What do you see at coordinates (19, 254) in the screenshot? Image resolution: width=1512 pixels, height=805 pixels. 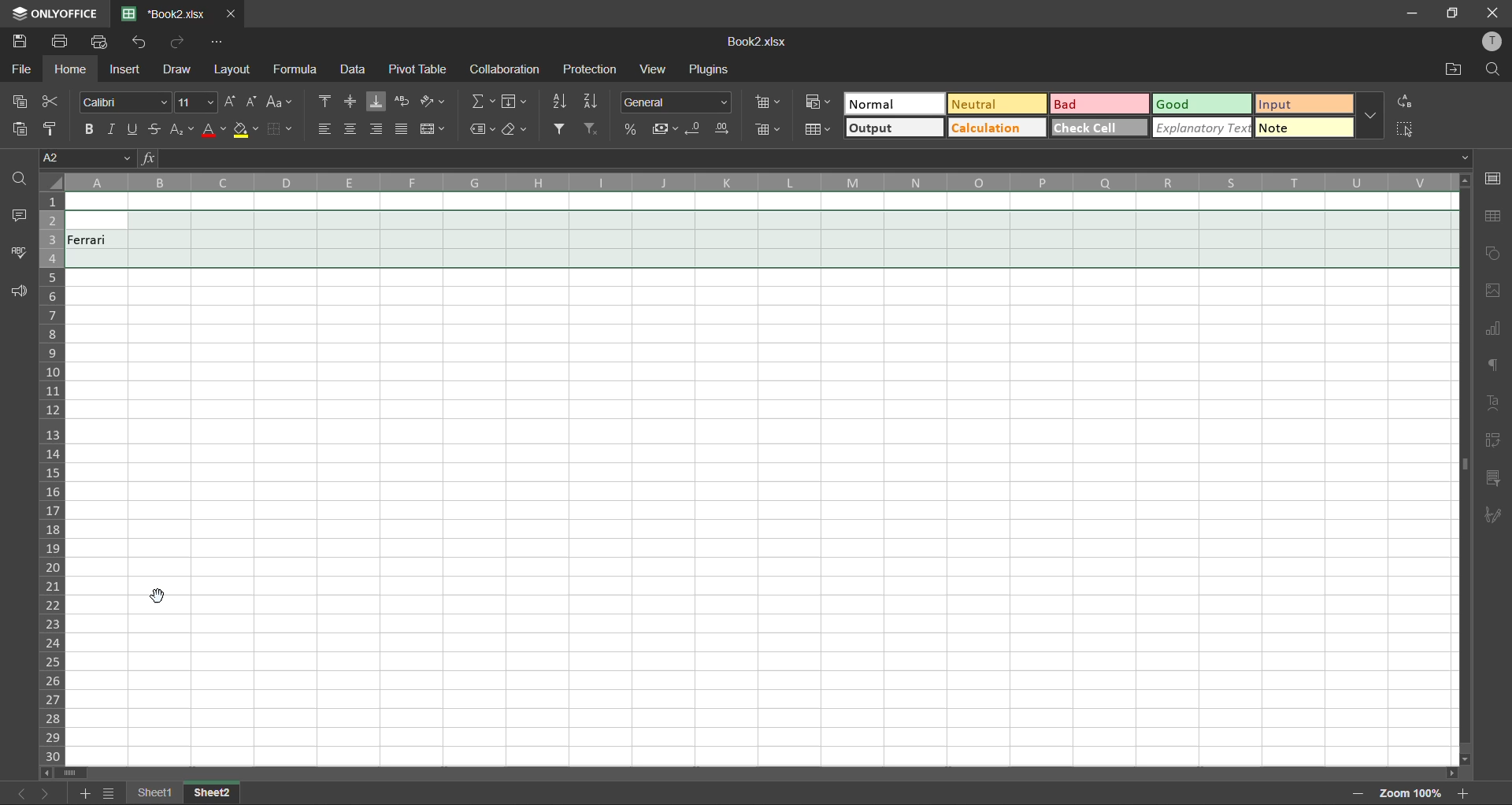 I see `spellcheck` at bounding box center [19, 254].